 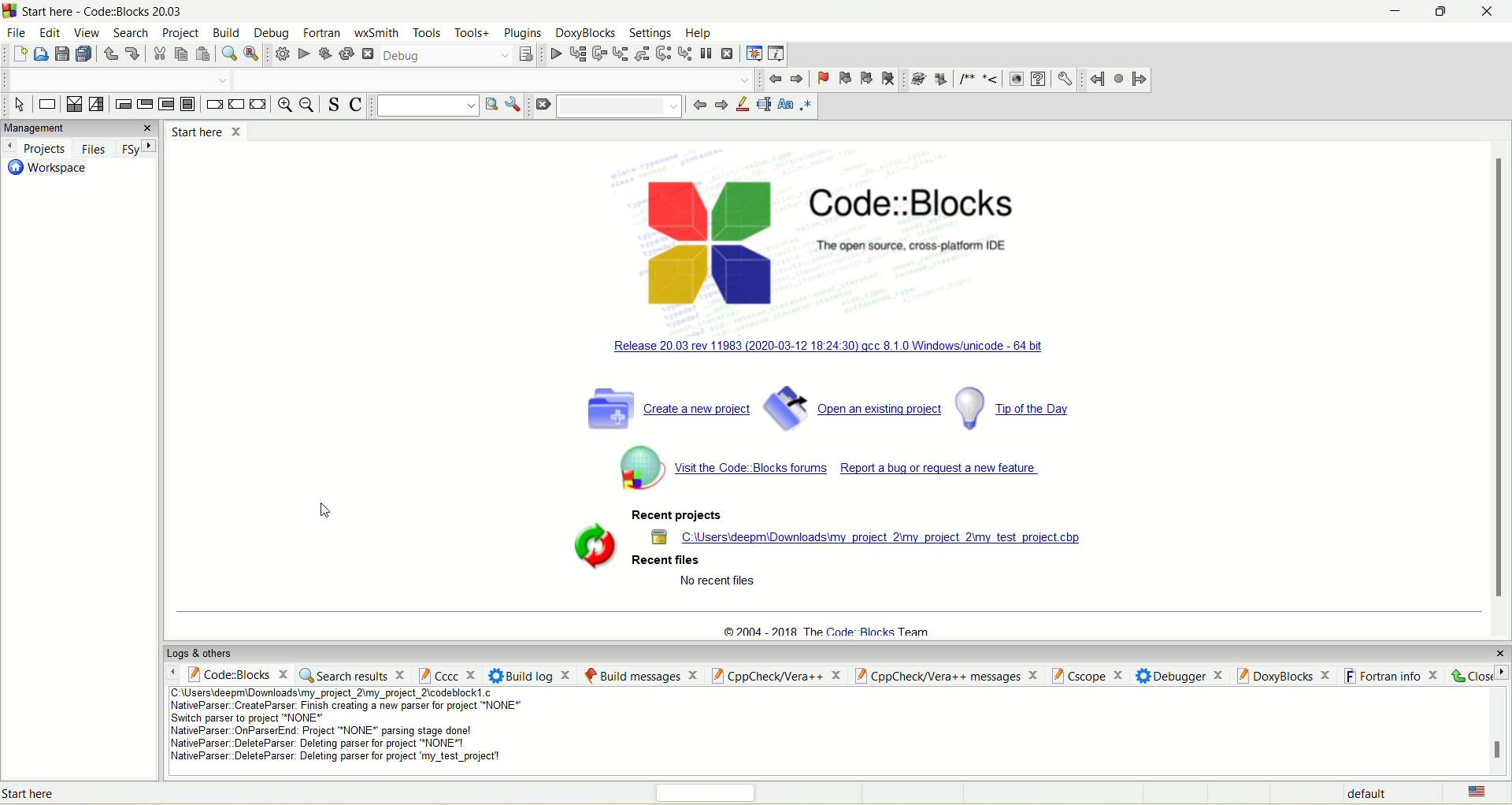 I want to click on windowsunicode, so click(x=862, y=350).